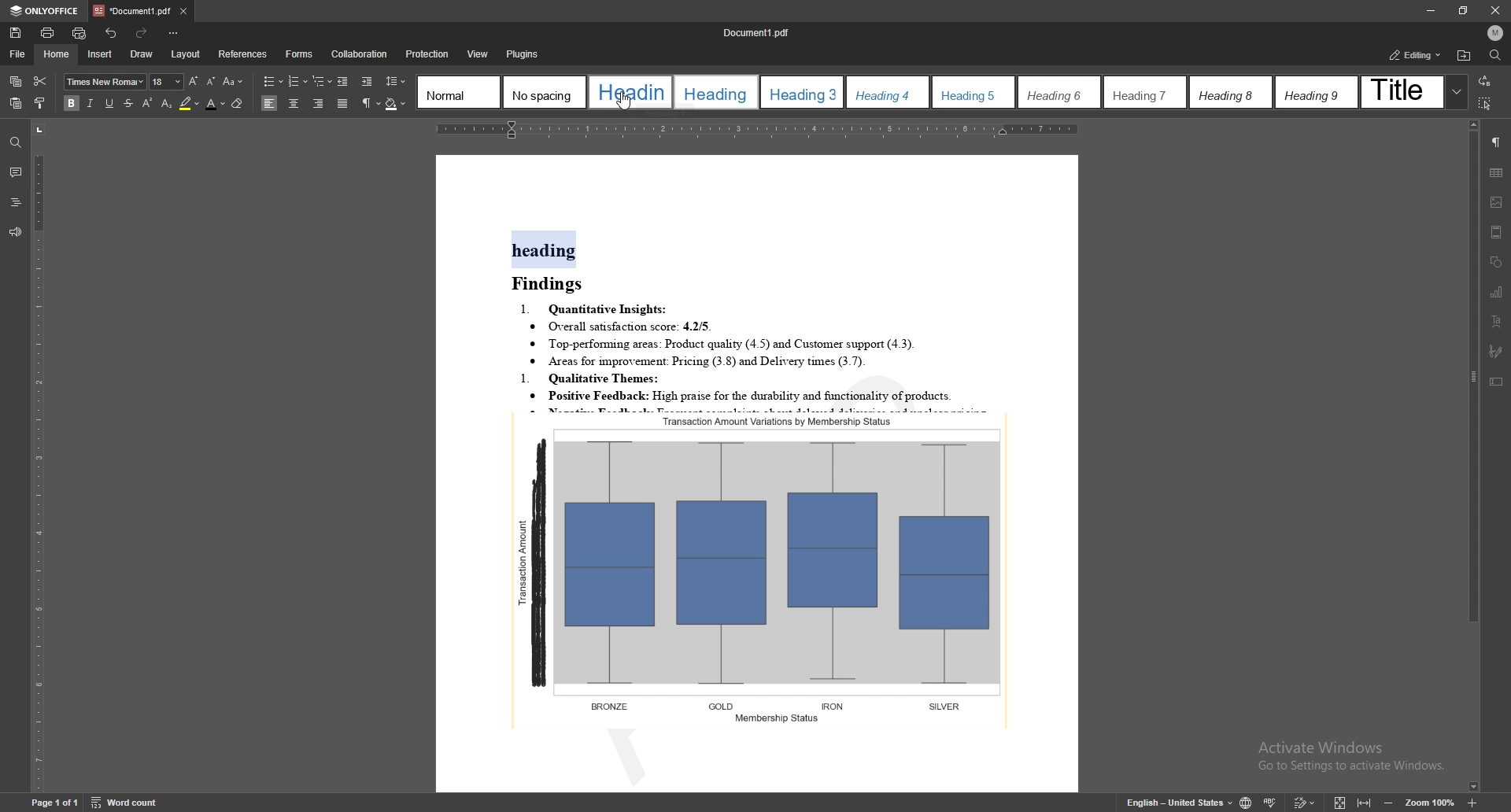  I want to click on status, so click(1416, 55).